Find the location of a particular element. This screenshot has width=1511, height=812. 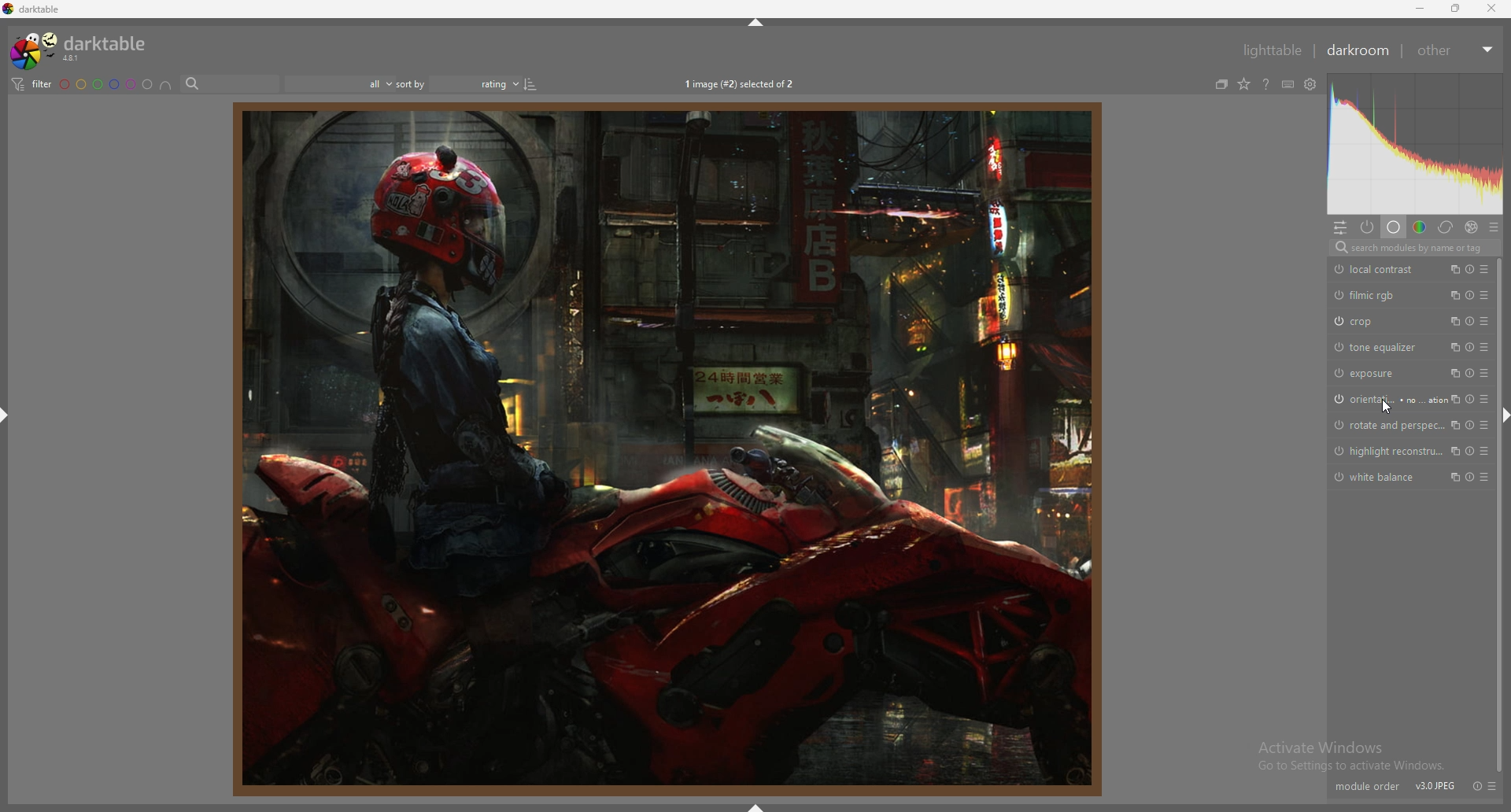

hide is located at coordinates (9, 419).